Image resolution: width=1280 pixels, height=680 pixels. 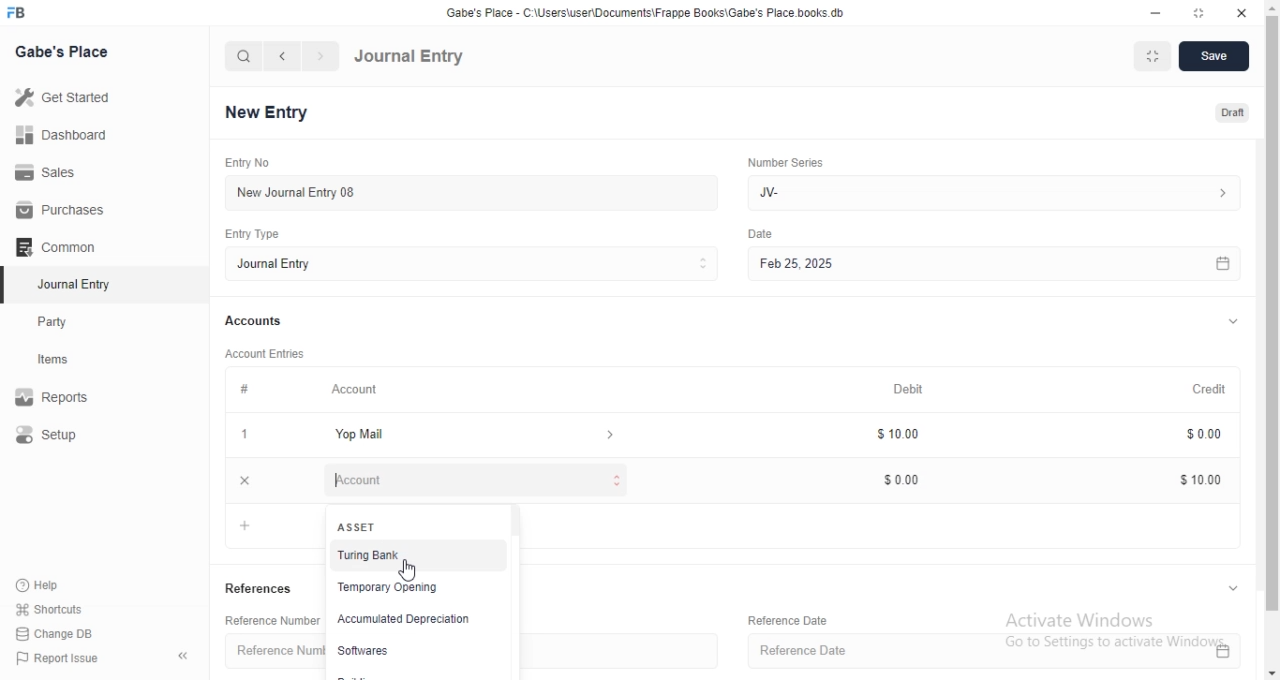 I want to click on References, so click(x=262, y=588).